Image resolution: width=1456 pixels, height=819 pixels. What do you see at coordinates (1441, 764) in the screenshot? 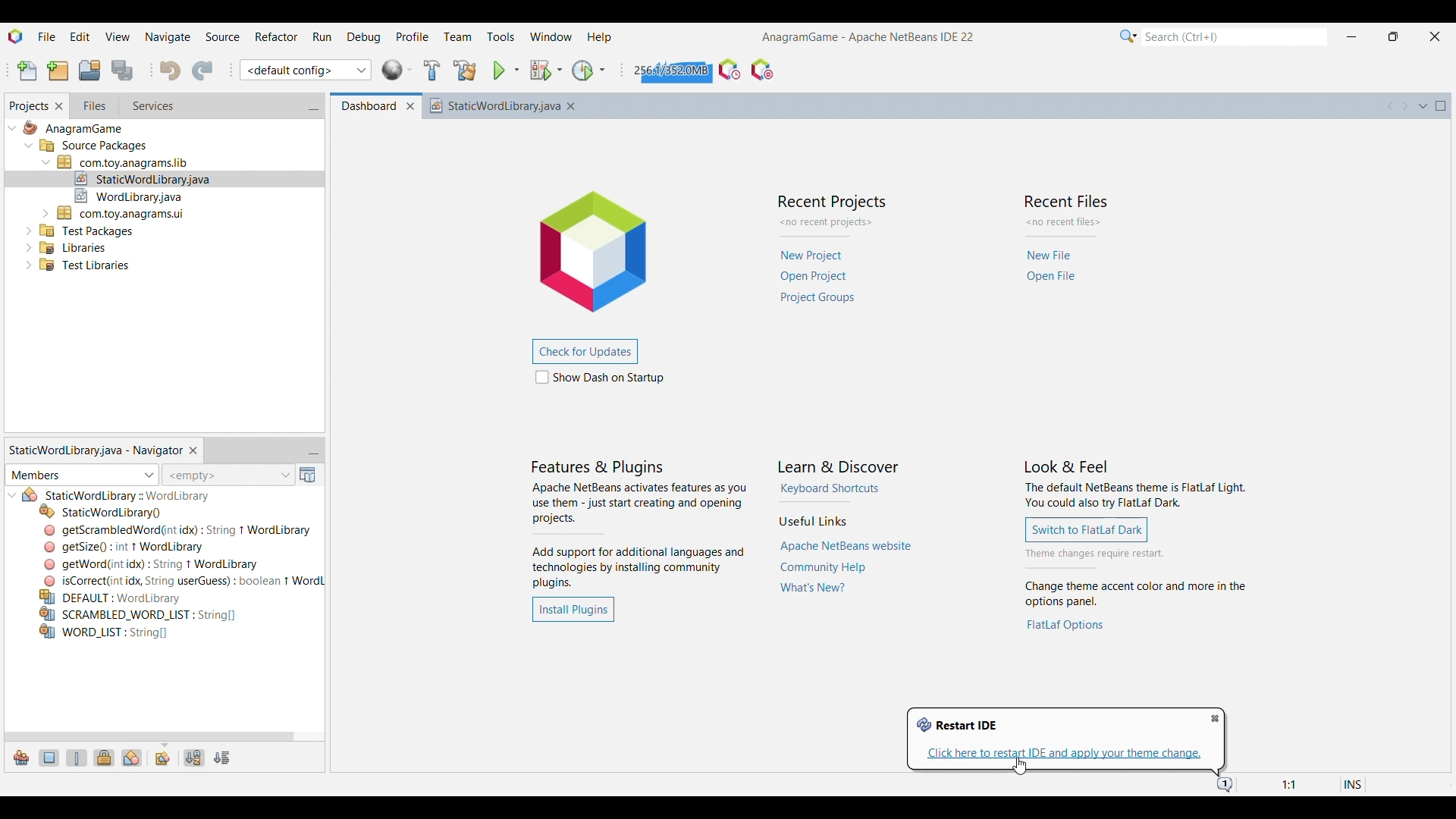
I see `Close` at bounding box center [1441, 764].